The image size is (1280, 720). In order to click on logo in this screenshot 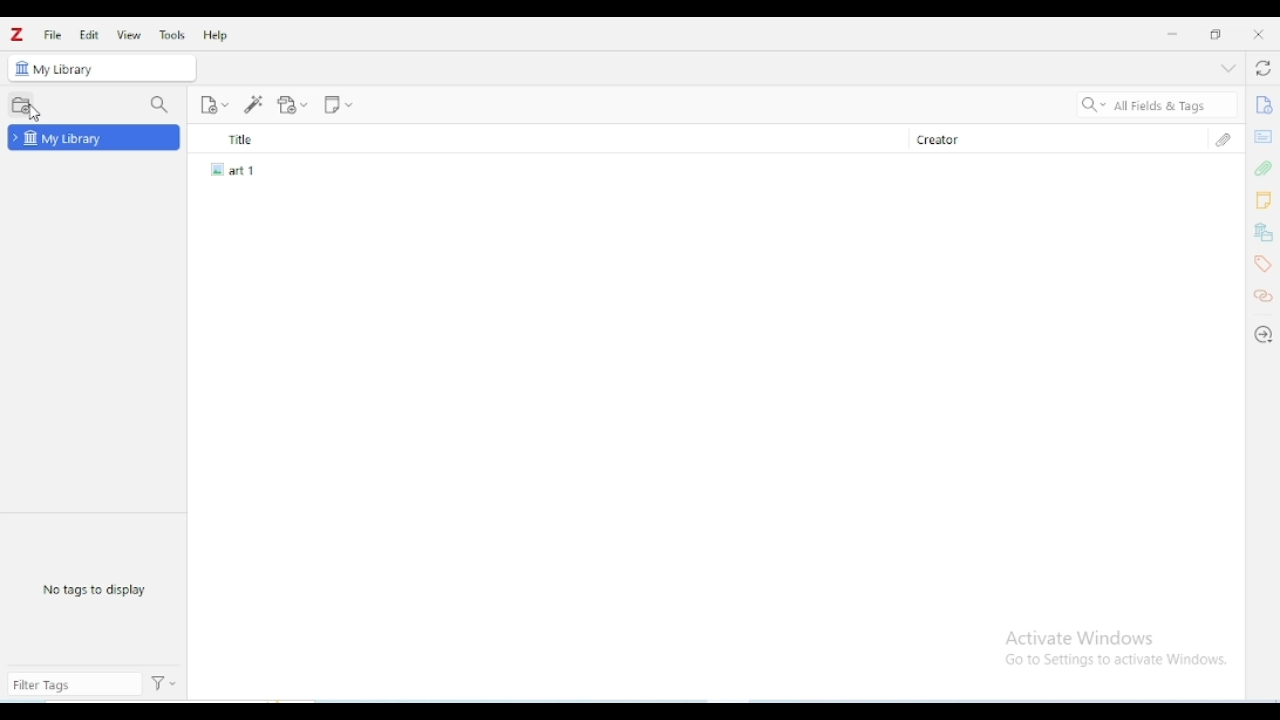, I will do `click(17, 34)`.